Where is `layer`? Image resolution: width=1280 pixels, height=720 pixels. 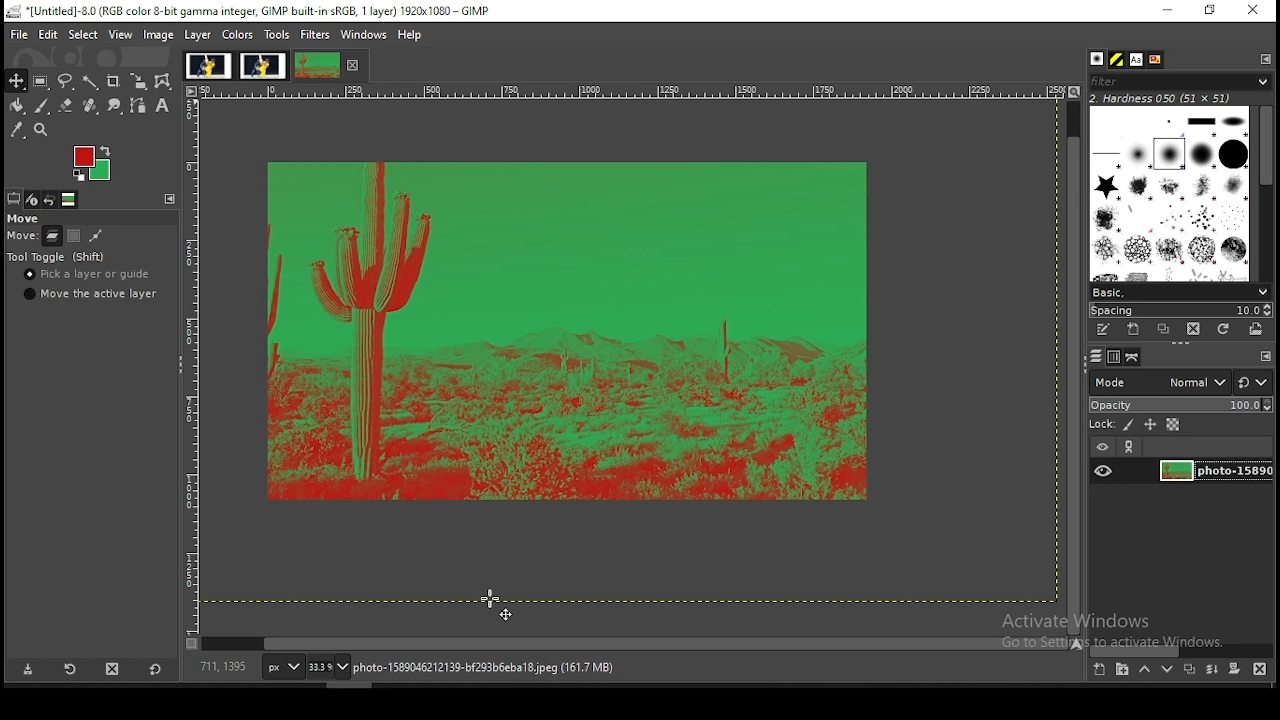
layer is located at coordinates (199, 35).